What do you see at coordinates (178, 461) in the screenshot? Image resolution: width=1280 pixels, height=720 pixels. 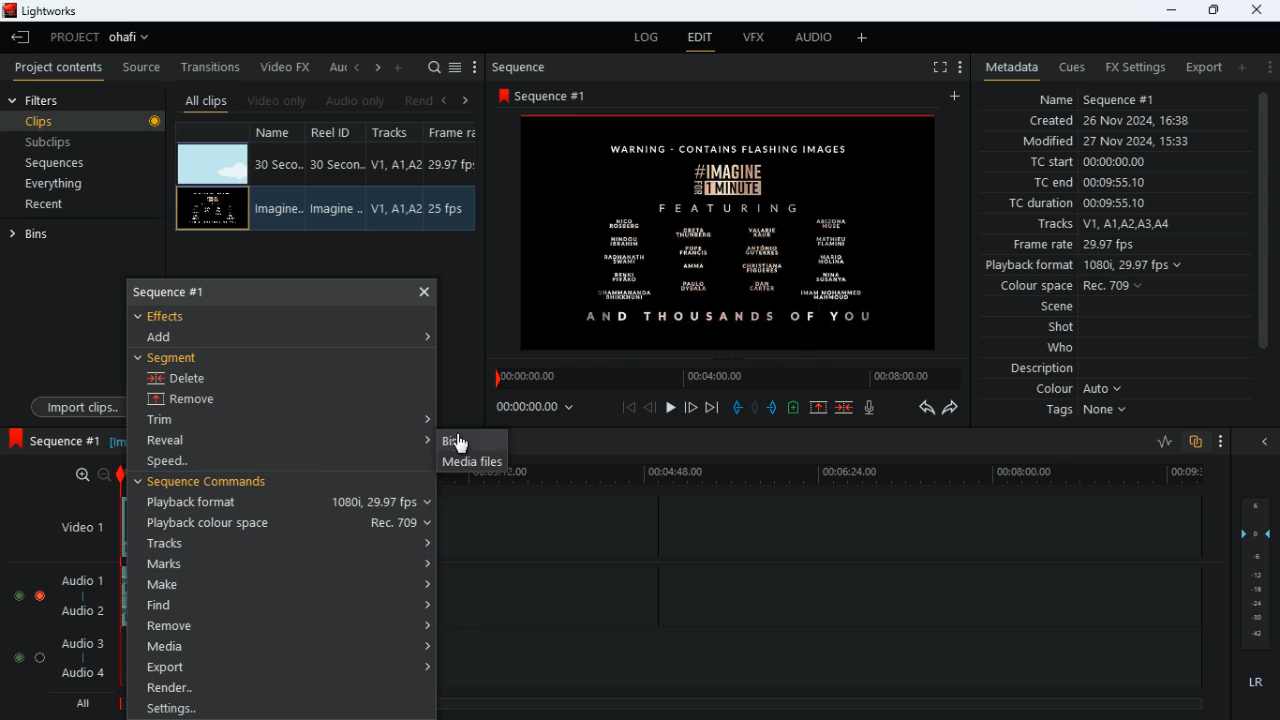 I see `speed` at bounding box center [178, 461].